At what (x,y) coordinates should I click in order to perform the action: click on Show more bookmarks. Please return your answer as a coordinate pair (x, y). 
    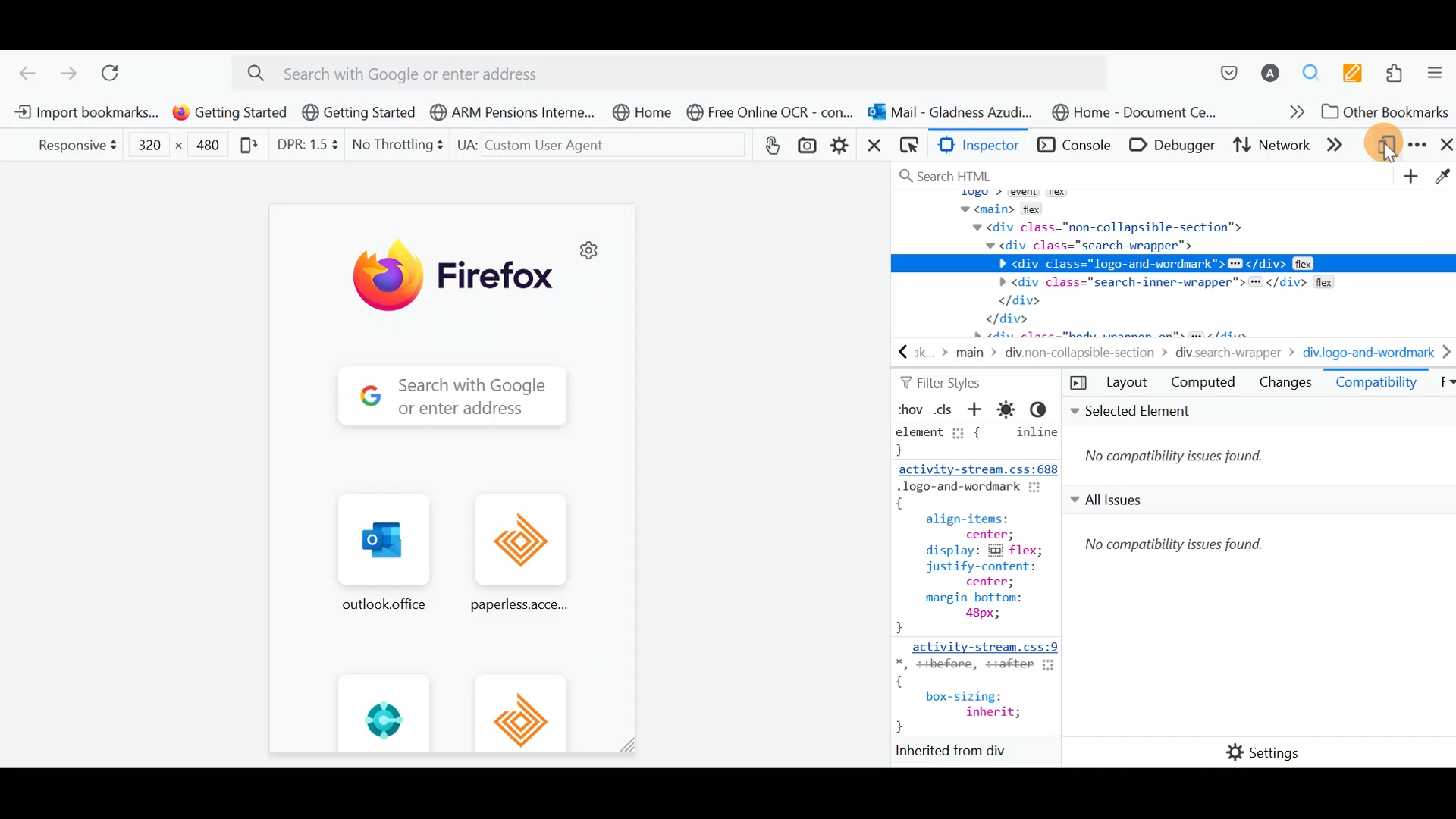
    Looking at the image, I should click on (1282, 113).